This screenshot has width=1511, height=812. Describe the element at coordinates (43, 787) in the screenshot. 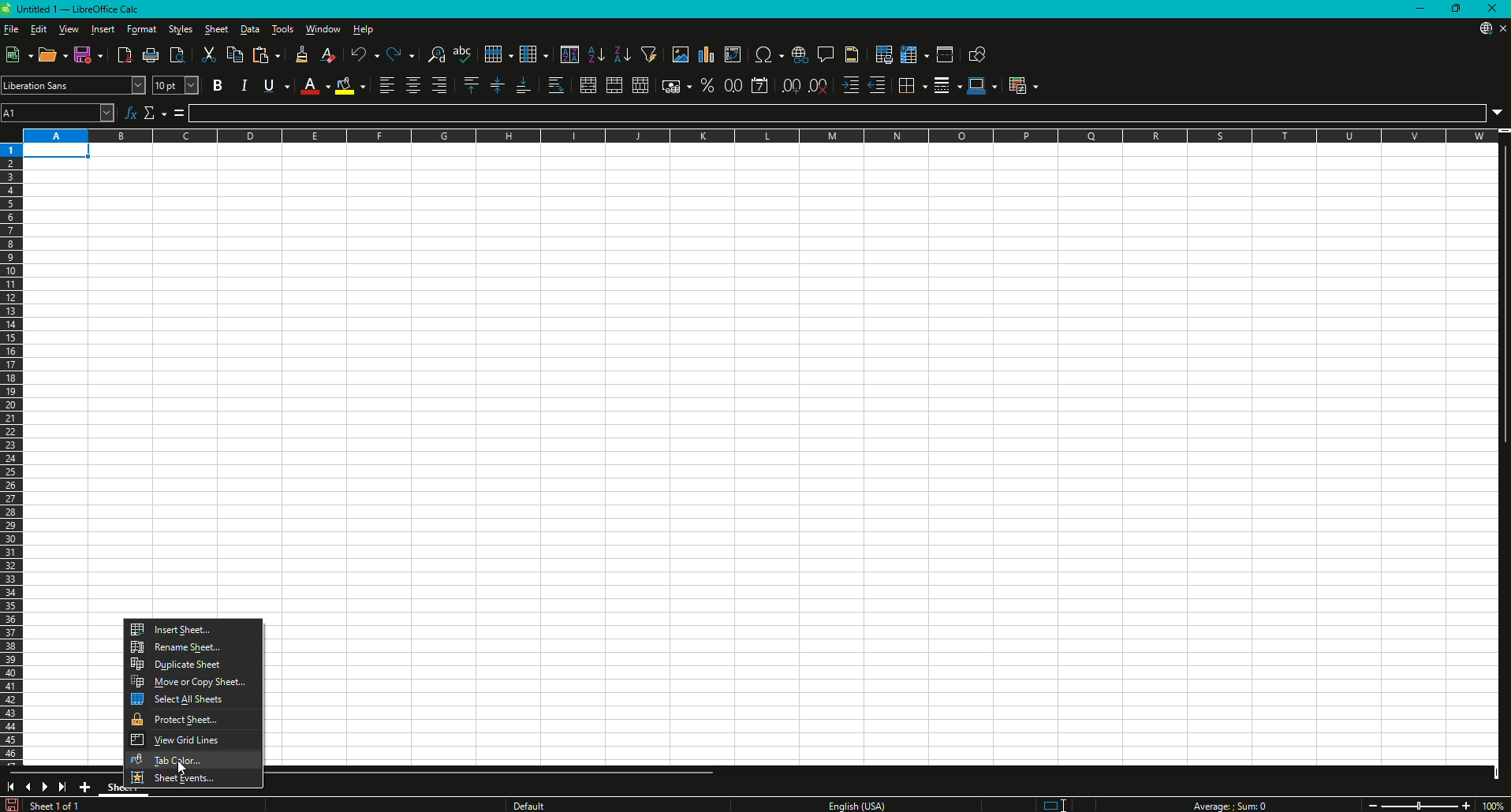

I see `Next slide` at that location.